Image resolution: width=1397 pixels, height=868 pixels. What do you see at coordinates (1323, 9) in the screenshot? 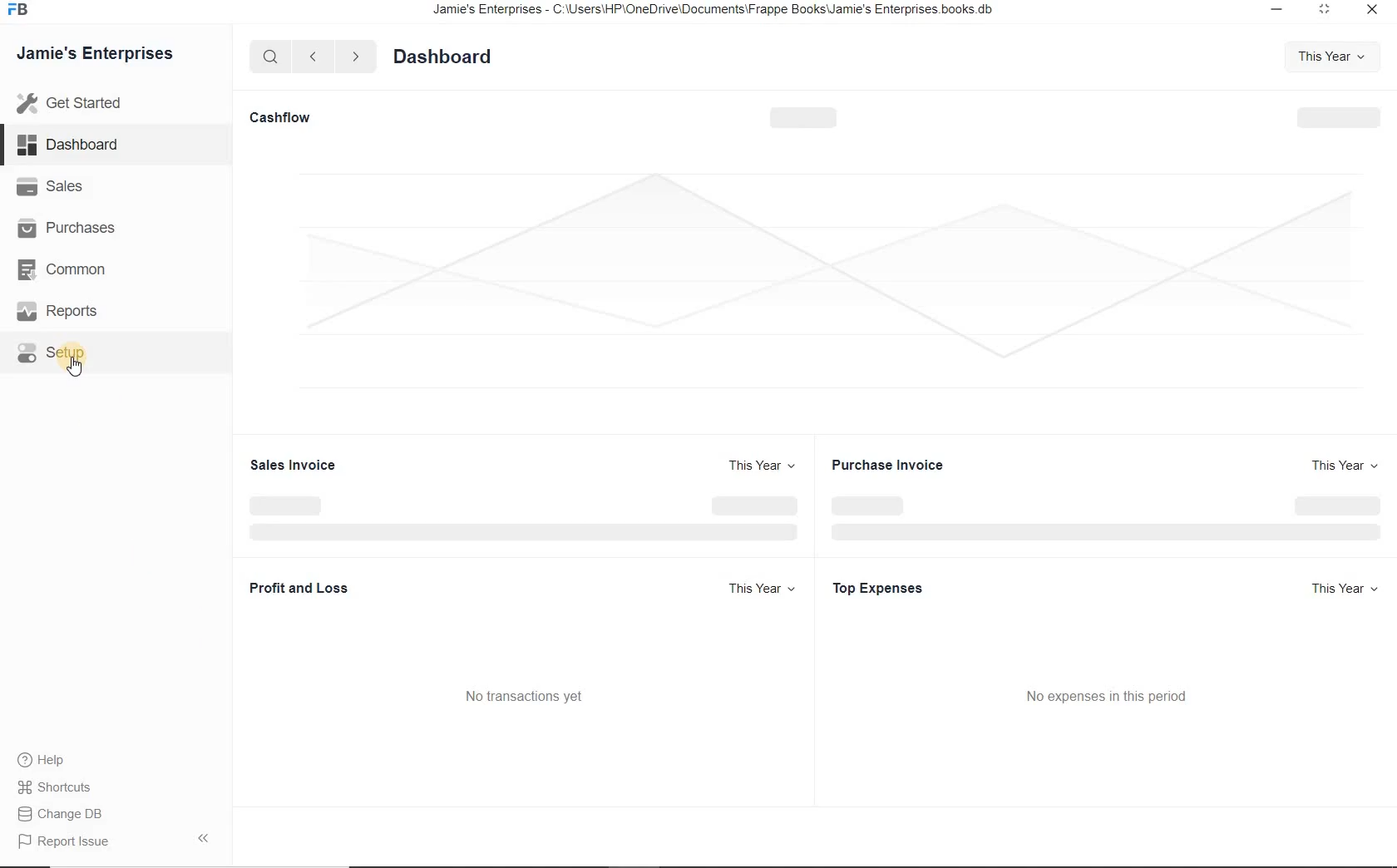
I see `maximize` at bounding box center [1323, 9].